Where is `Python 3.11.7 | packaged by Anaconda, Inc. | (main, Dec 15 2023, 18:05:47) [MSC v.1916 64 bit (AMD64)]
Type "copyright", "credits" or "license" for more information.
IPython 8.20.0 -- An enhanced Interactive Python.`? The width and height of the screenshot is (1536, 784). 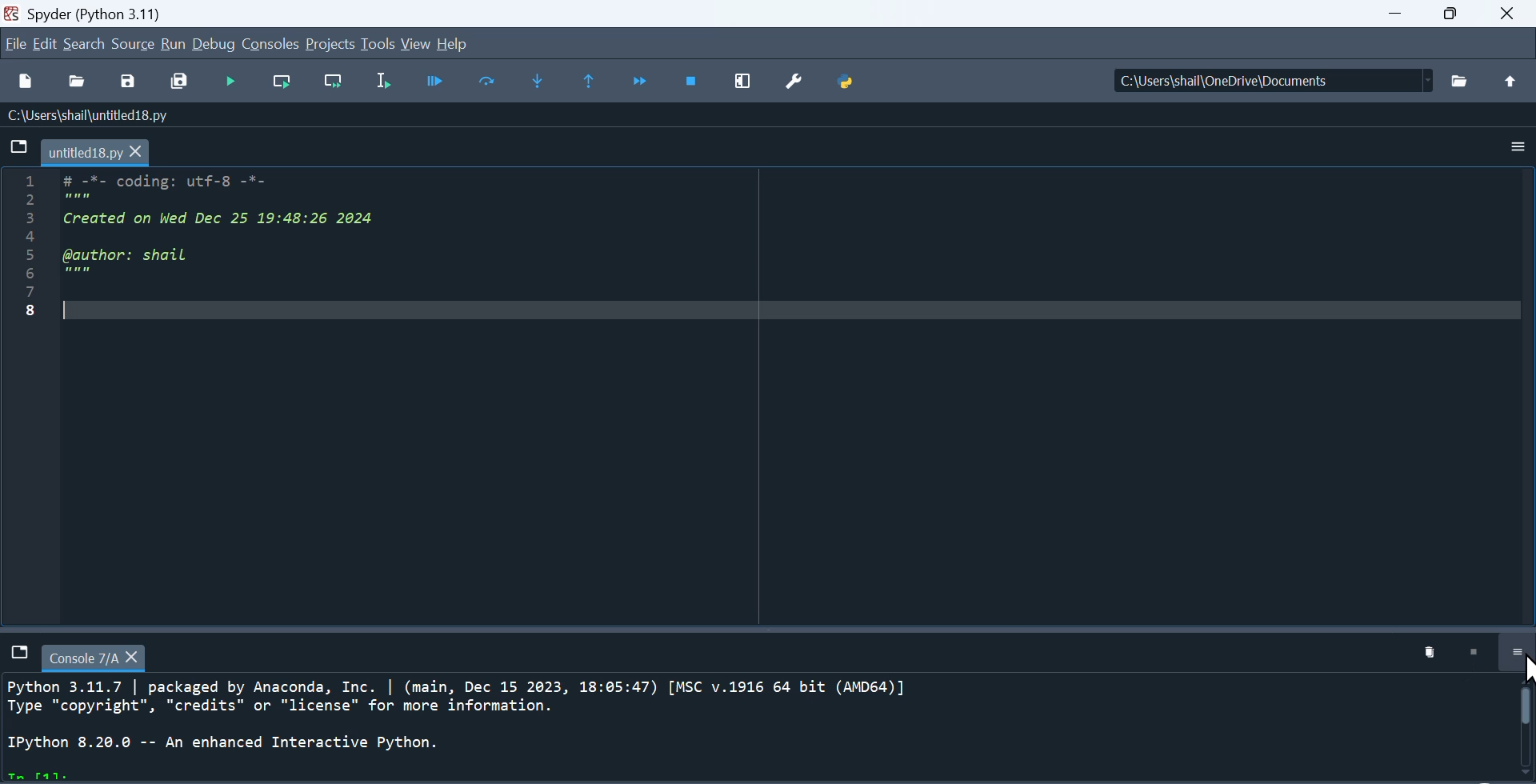
Python 3.11.7 | packaged by Anaconda, Inc. | (main, Dec 15 2023, 18:05:47) [MSC v.1916 64 bit (AMD64)]
Type "copyright", "credits" or "license" for more information.
IPython 8.20.0 -- An enhanced Interactive Python. is located at coordinates (762, 726).